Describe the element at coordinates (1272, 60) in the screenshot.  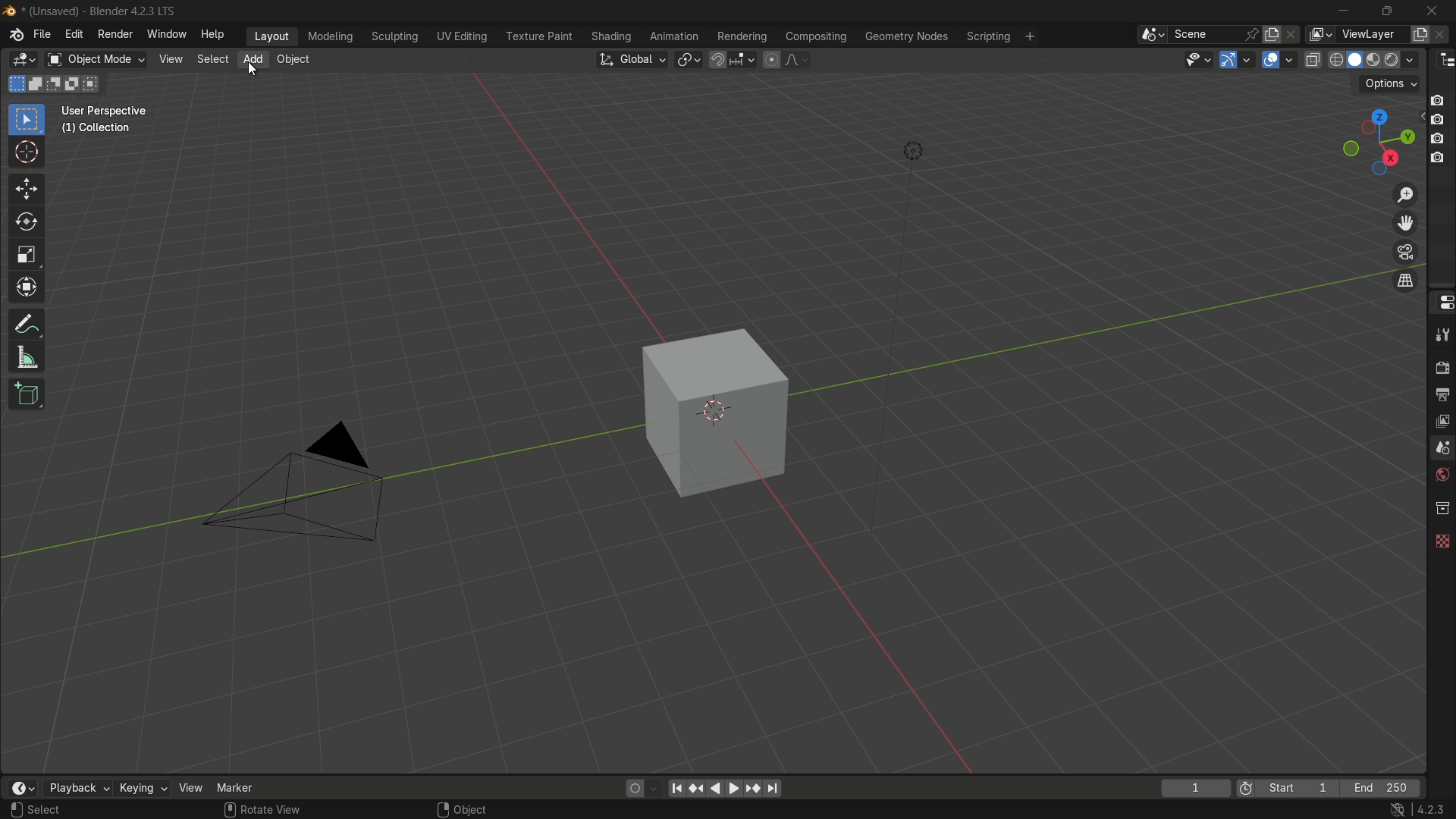
I see `show overlay` at that location.